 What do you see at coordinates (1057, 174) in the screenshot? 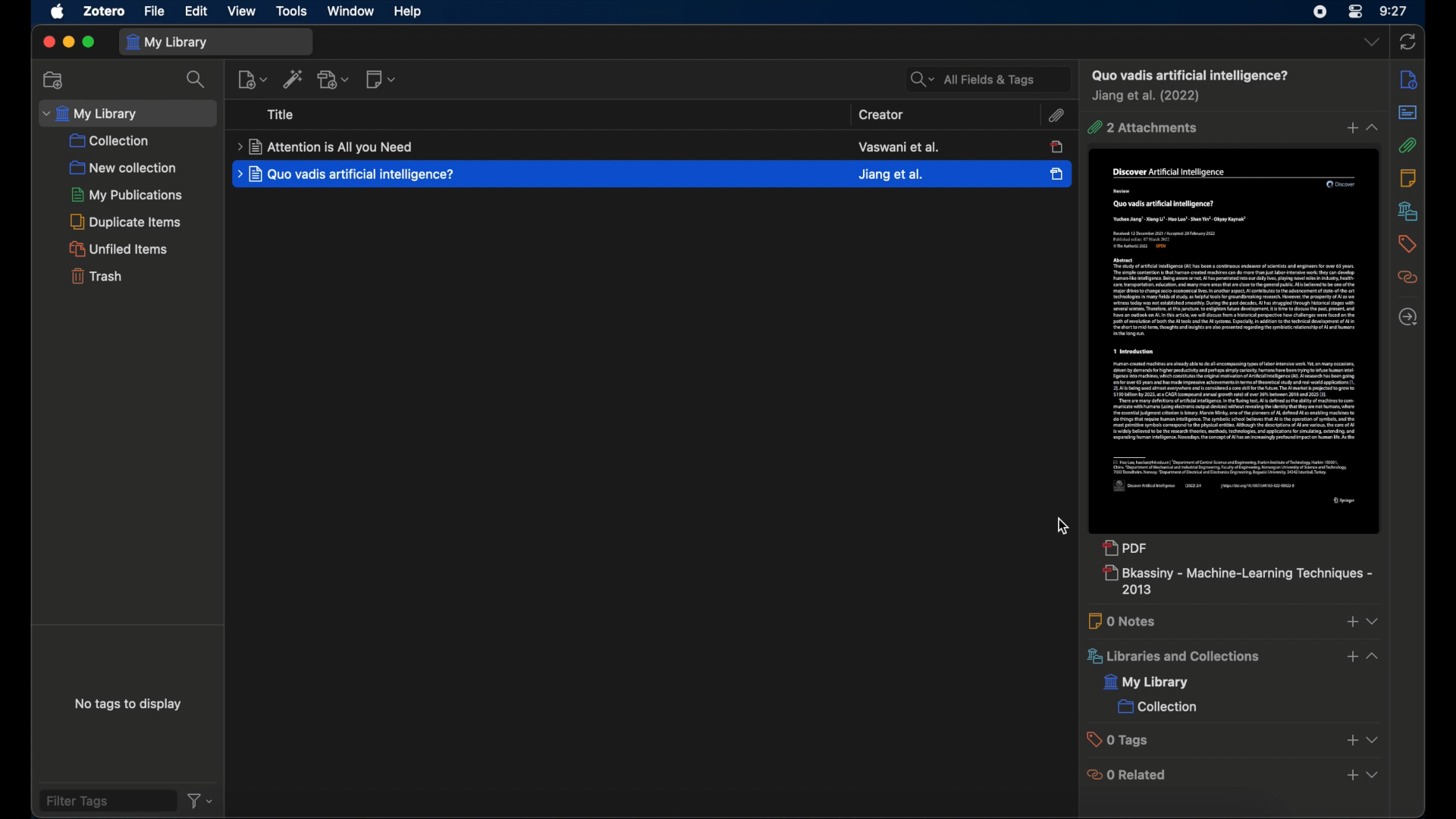
I see `selected item` at bounding box center [1057, 174].